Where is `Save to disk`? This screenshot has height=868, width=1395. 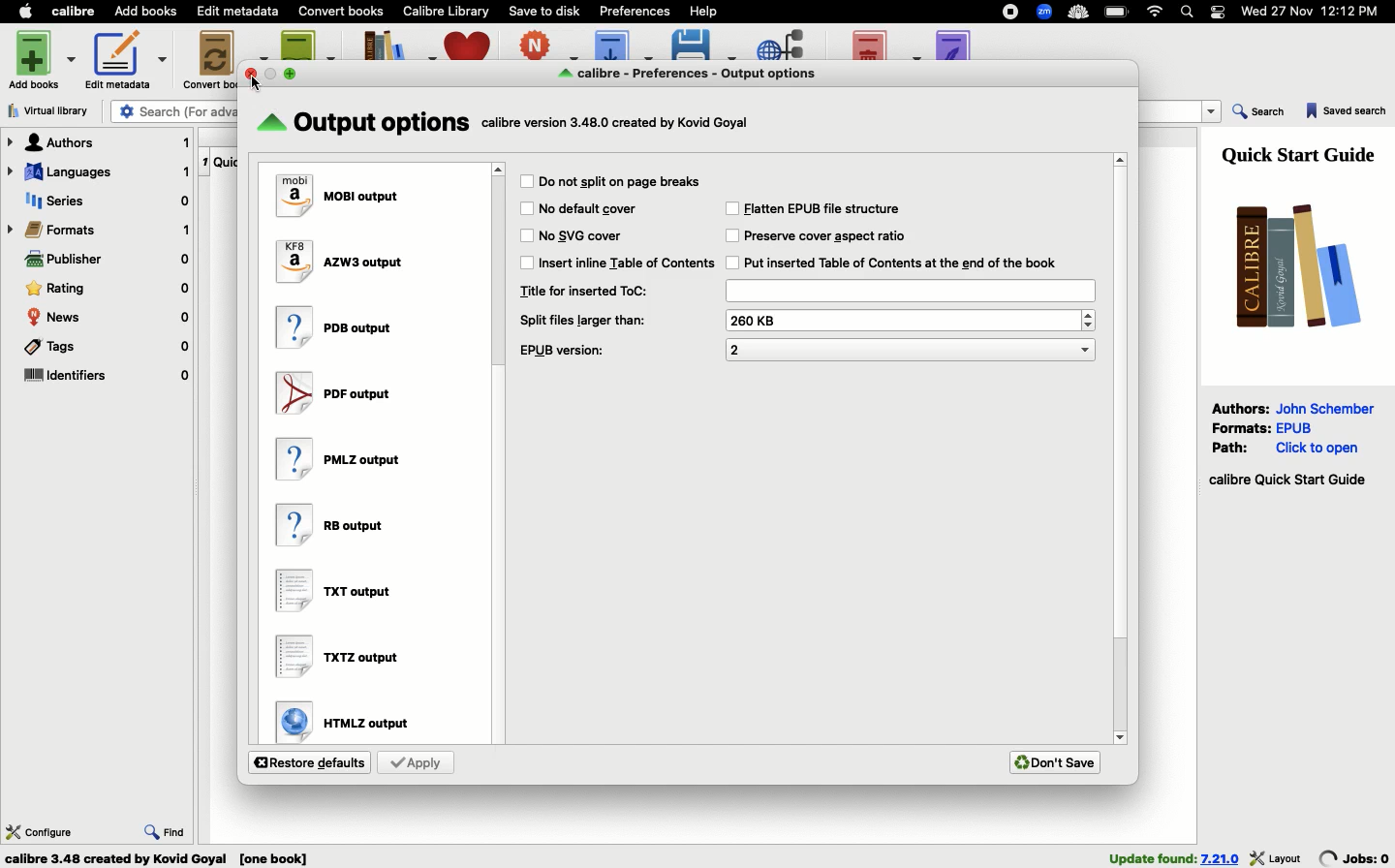 Save to disk is located at coordinates (545, 10).